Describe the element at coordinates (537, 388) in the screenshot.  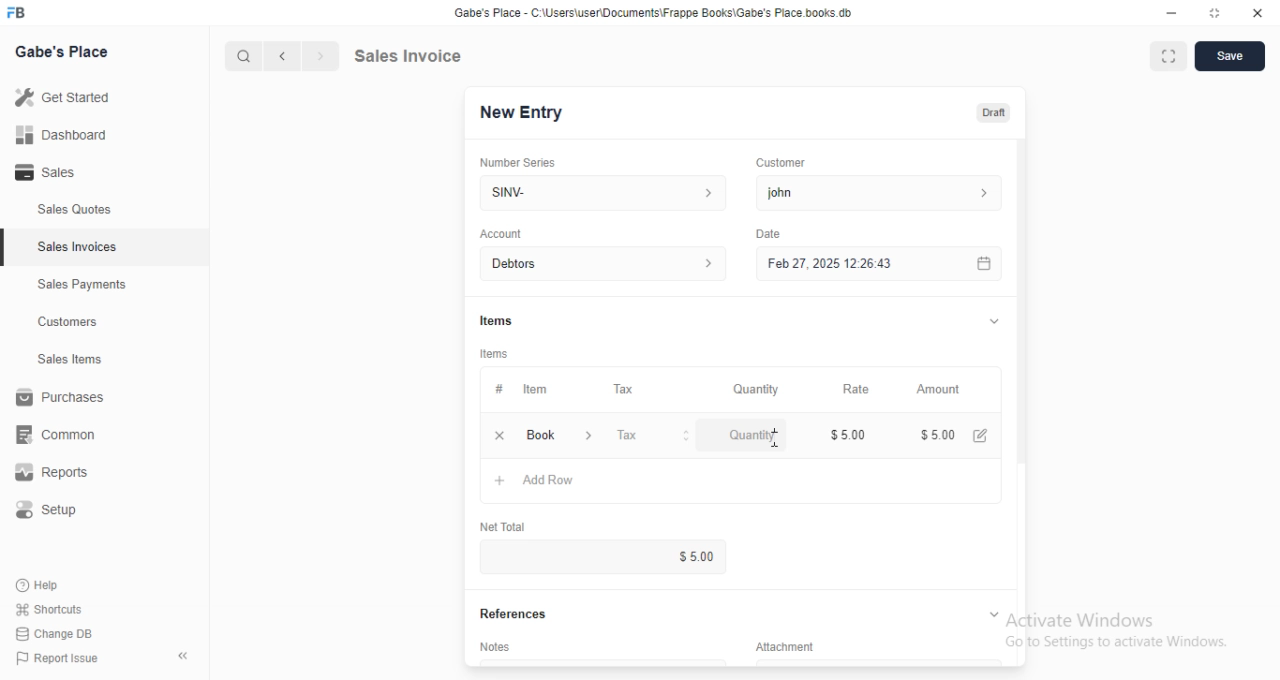
I see ` item` at that location.